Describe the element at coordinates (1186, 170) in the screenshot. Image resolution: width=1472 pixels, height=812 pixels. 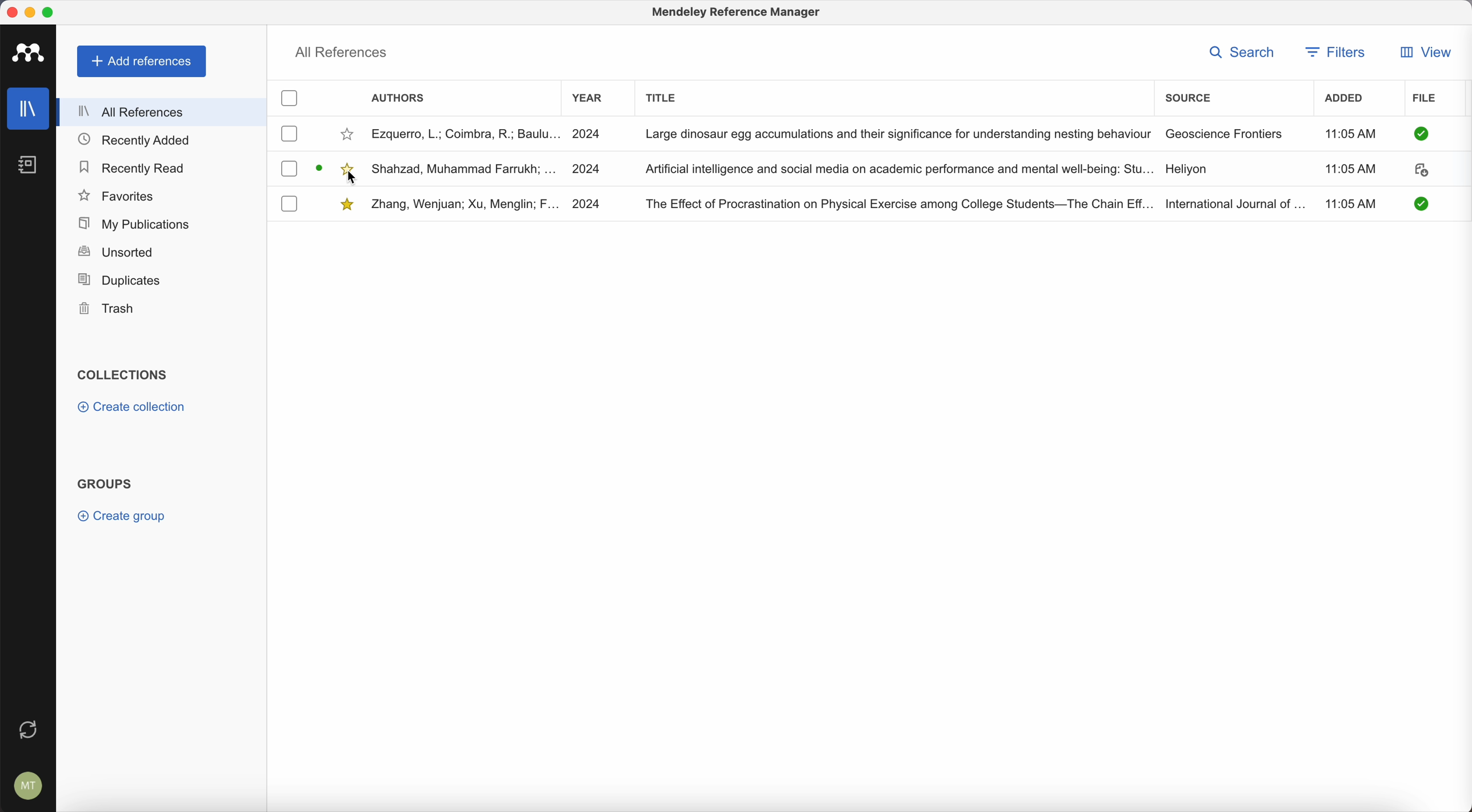
I see `Heliyon` at that location.